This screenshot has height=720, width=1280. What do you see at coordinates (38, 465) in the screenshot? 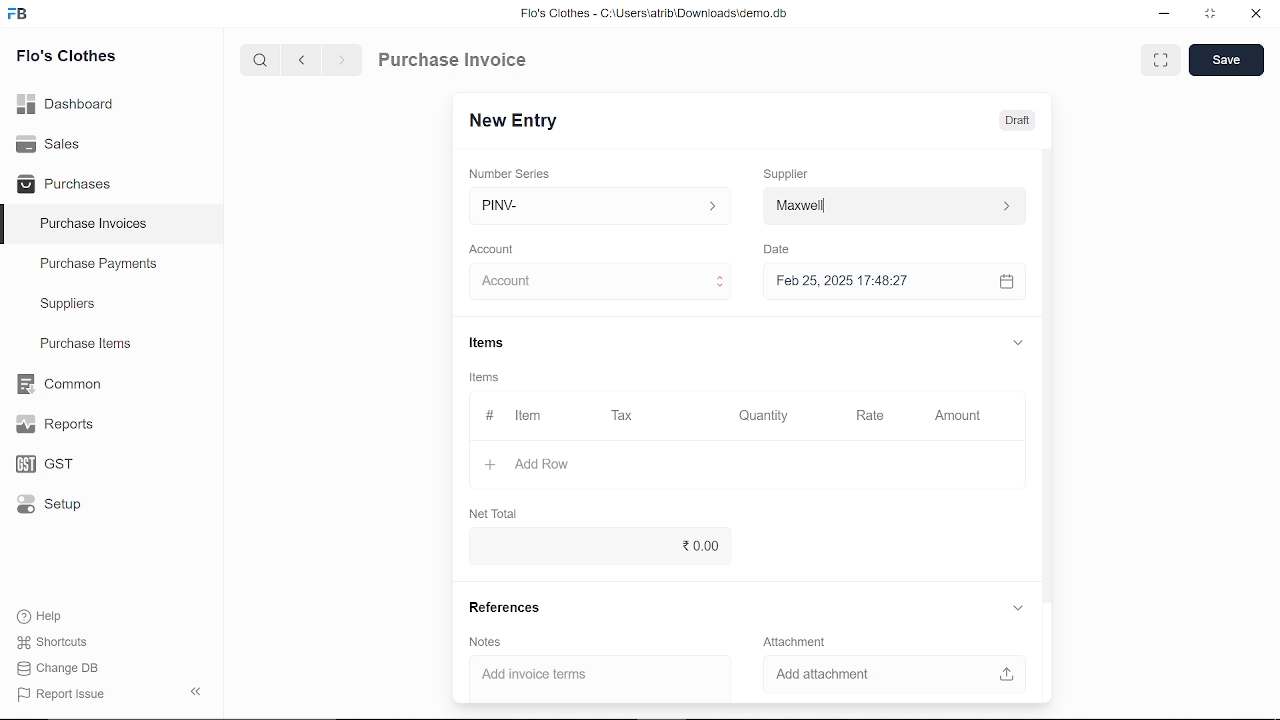
I see `GST` at bounding box center [38, 465].